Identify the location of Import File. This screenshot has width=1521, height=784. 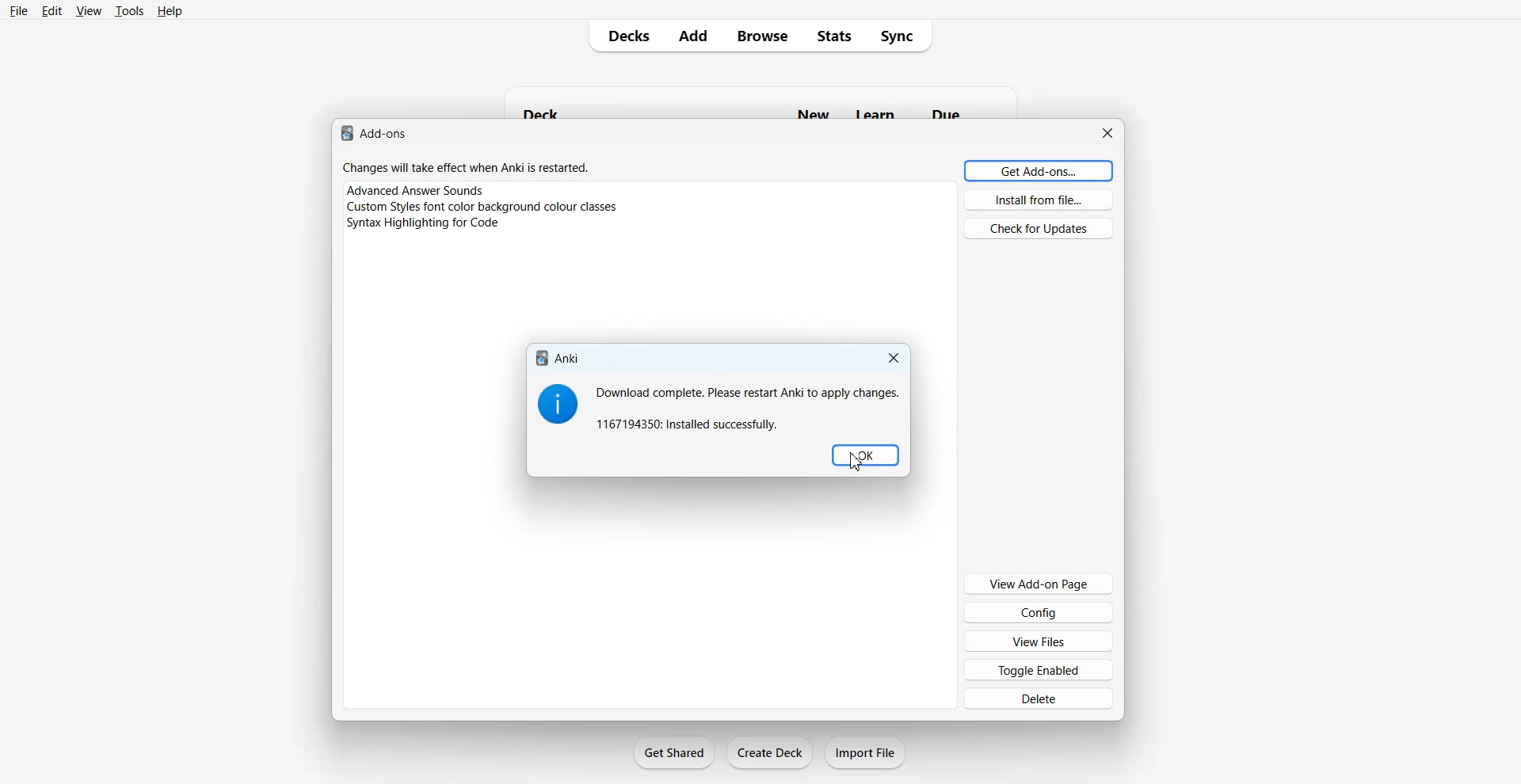
(866, 752).